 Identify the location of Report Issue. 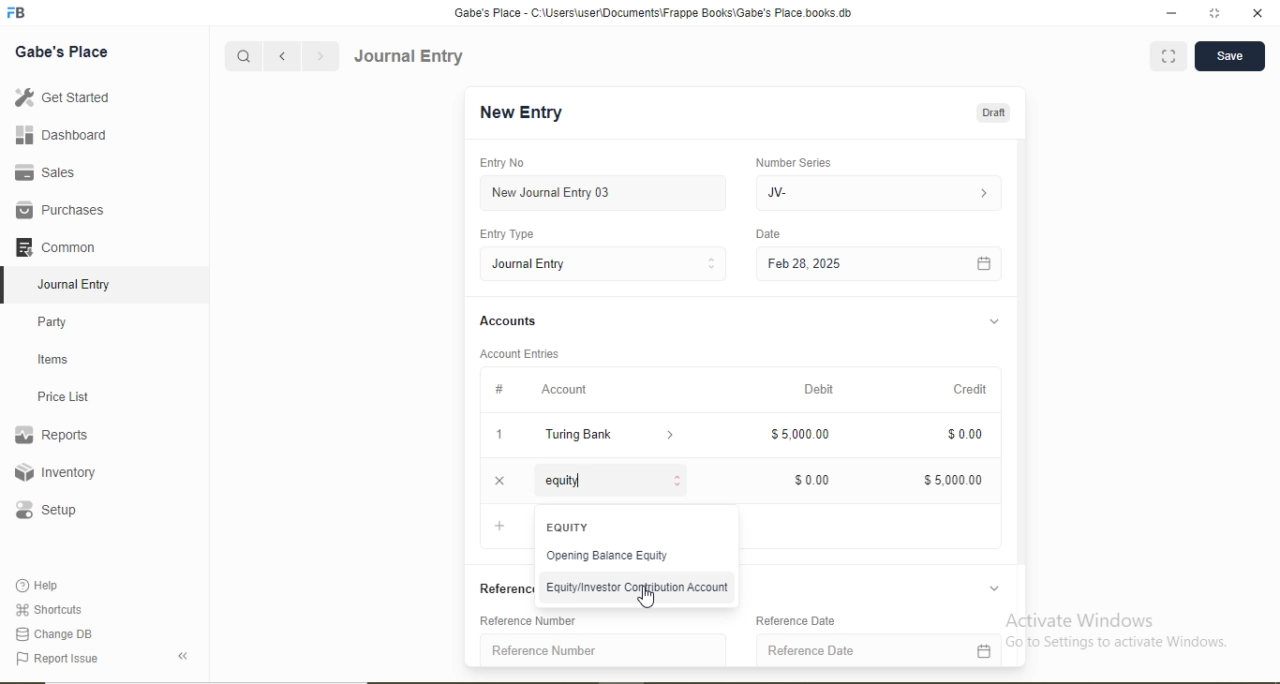
(56, 659).